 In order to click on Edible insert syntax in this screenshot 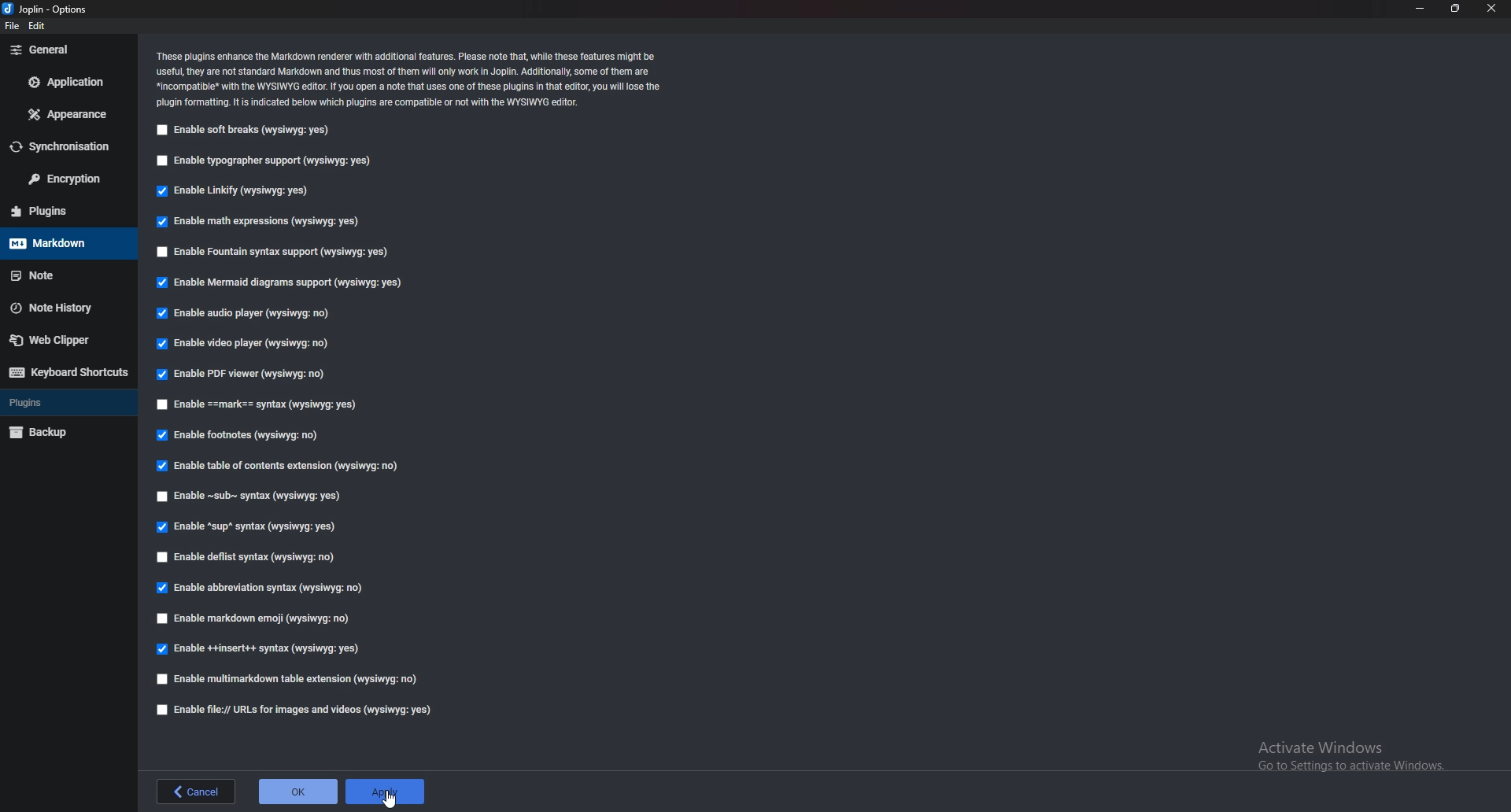, I will do `click(257, 651)`.